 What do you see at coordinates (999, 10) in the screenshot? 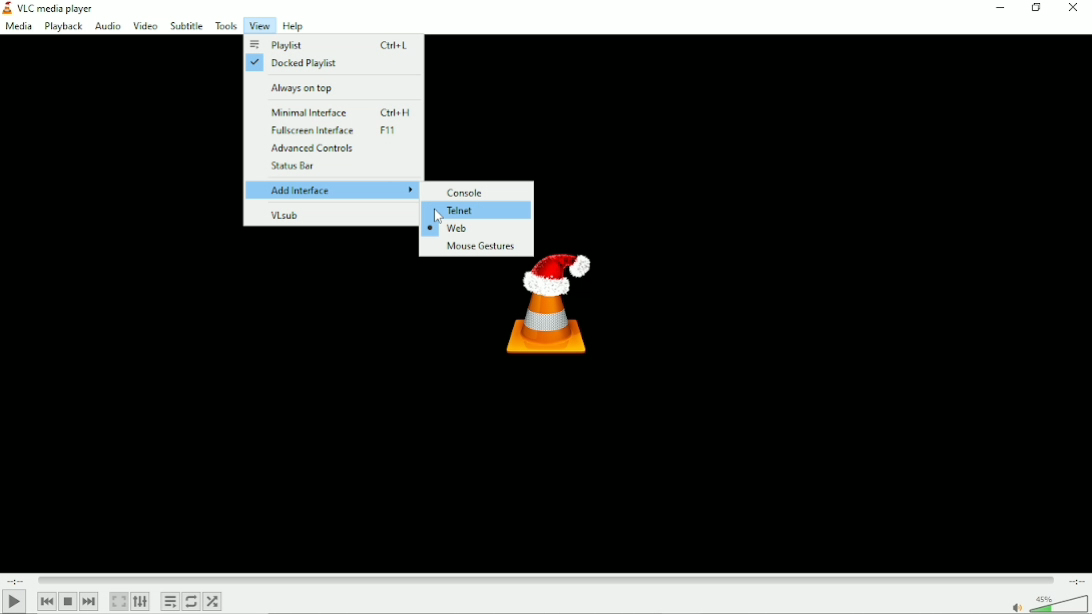
I see `Minimize` at bounding box center [999, 10].